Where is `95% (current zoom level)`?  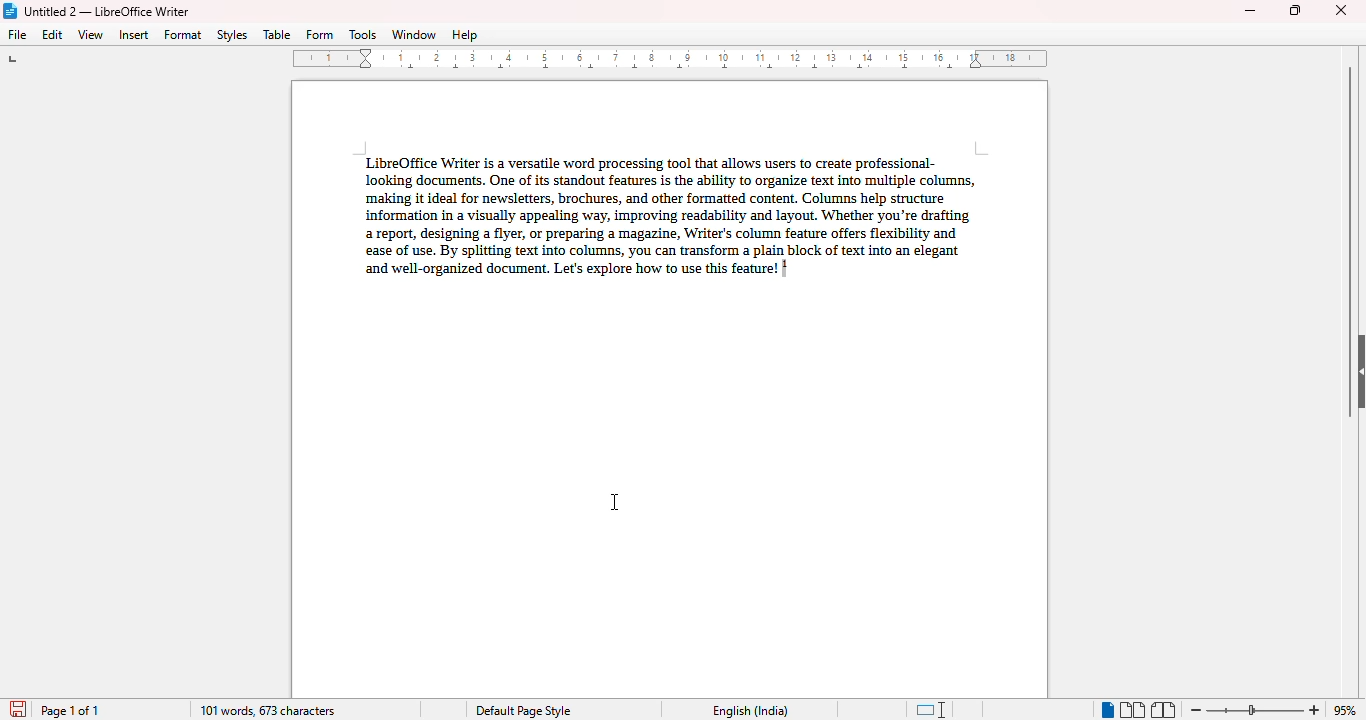
95% (current zoom level) is located at coordinates (1347, 709).